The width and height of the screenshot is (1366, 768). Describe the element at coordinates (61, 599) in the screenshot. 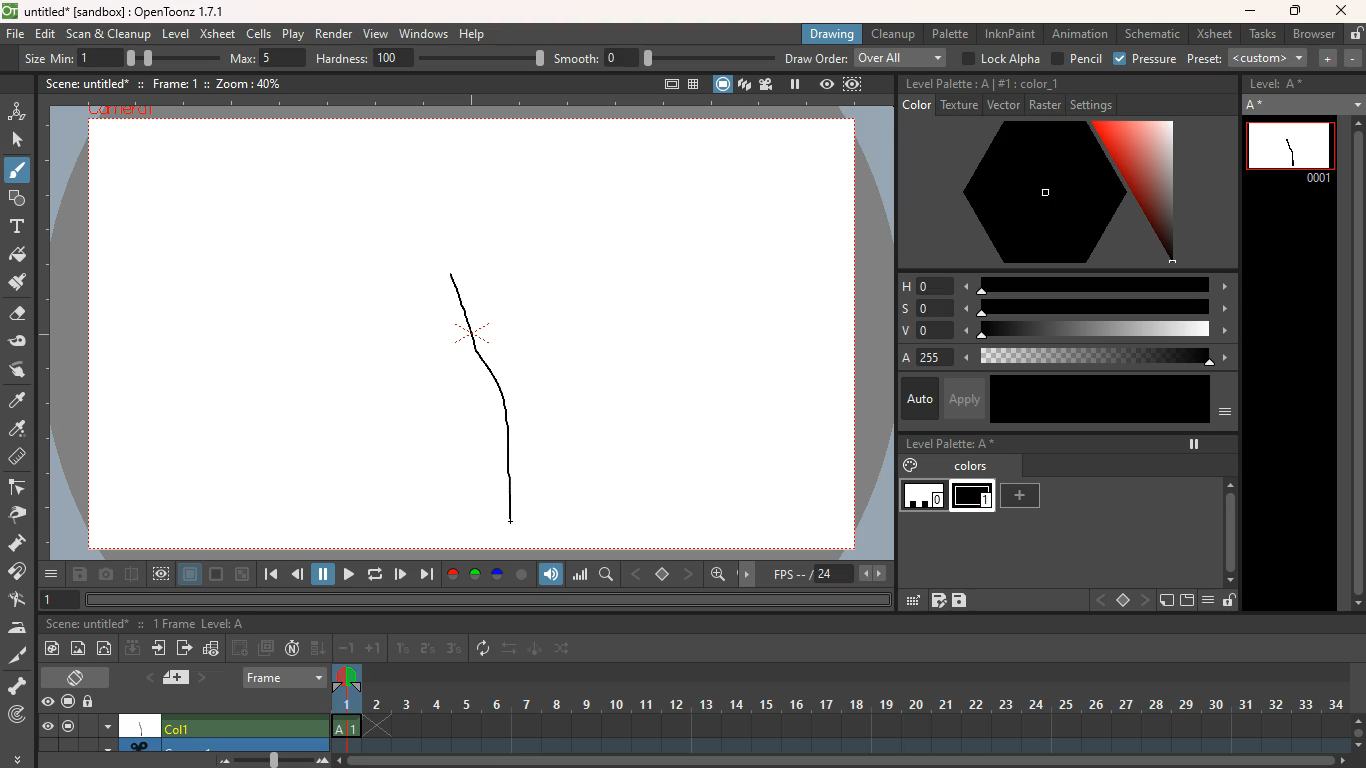

I see `1` at that location.